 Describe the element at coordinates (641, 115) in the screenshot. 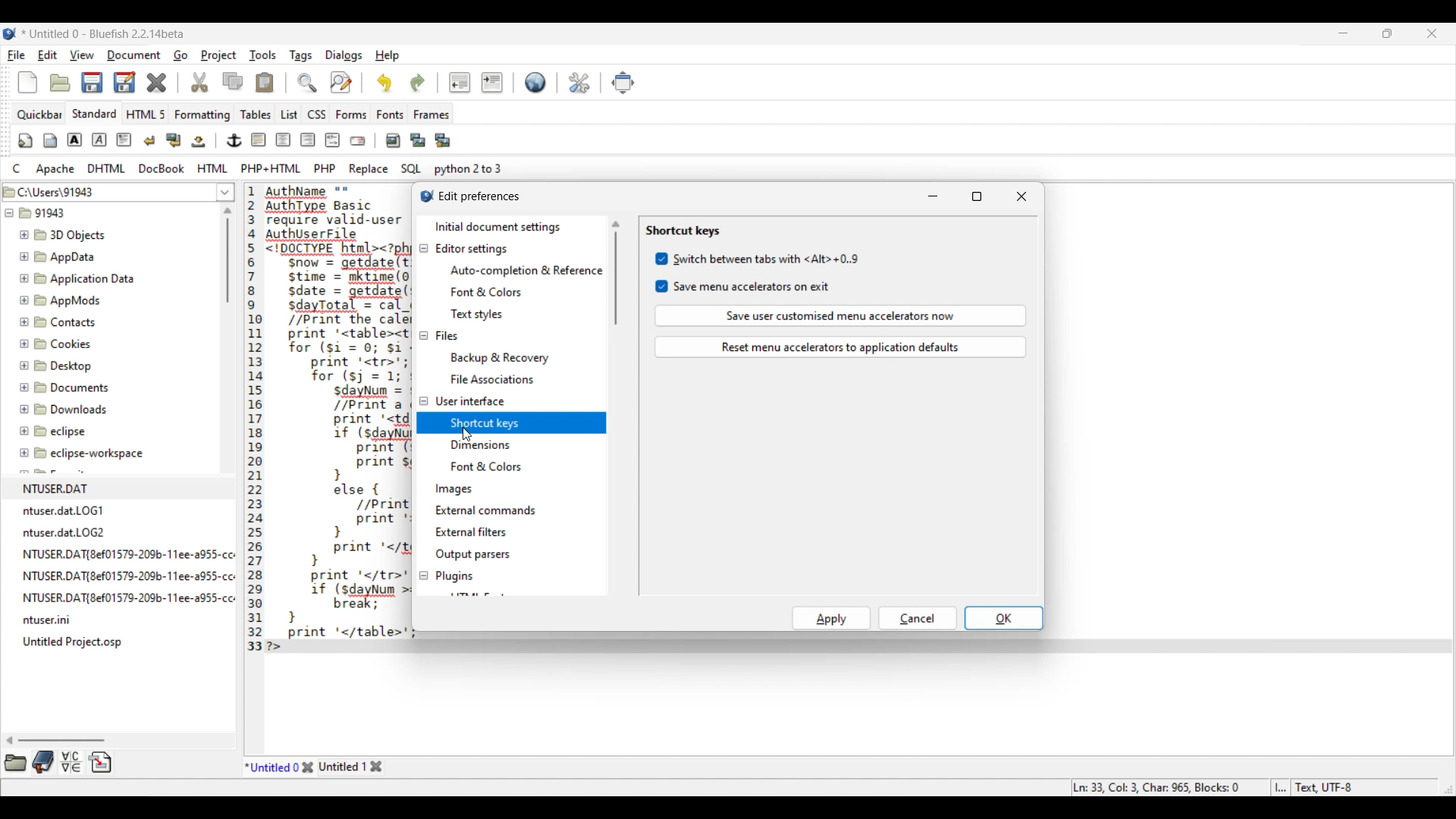

I see `Description of current selection` at that location.